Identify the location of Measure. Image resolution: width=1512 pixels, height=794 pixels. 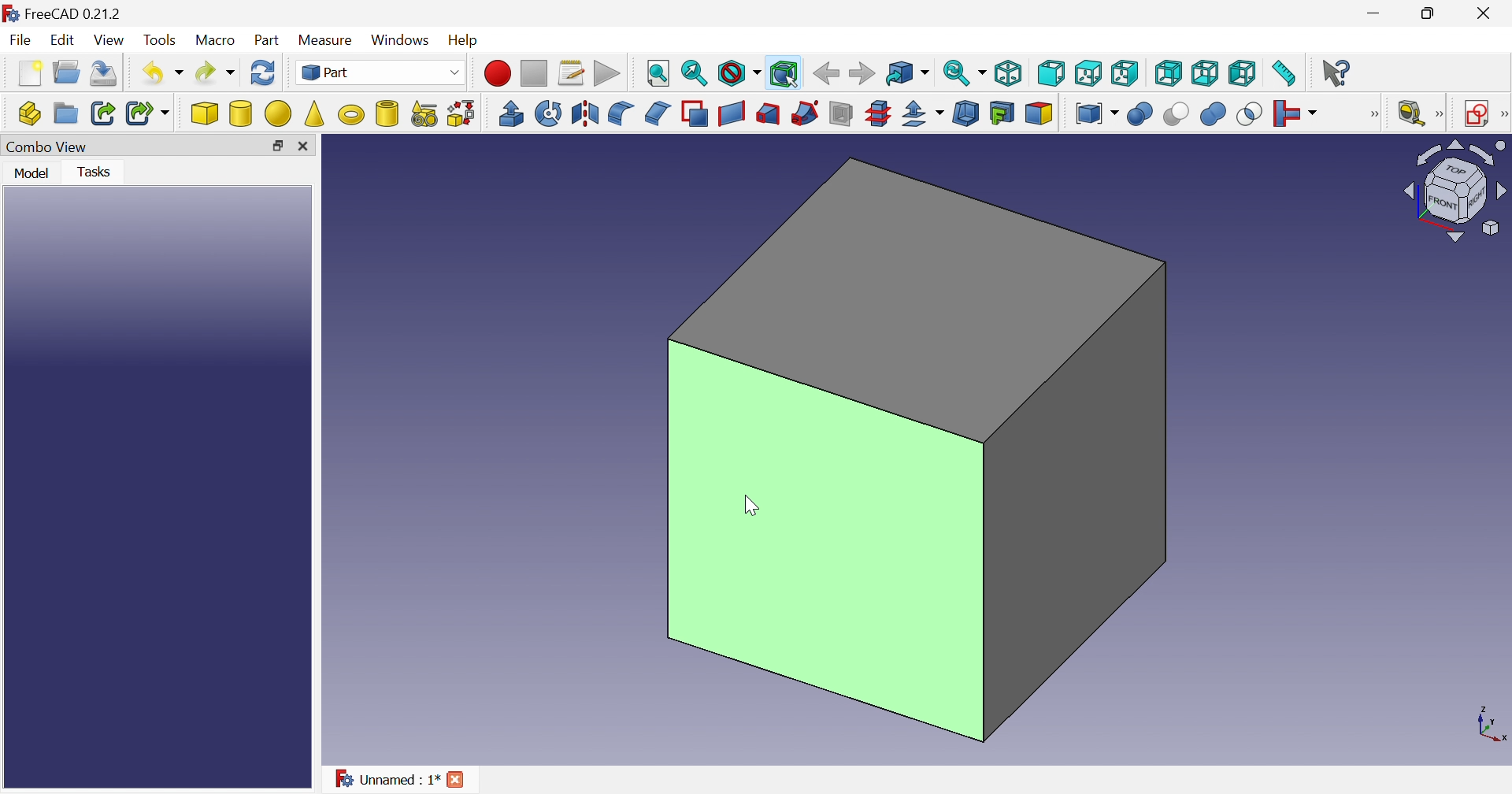
(328, 39).